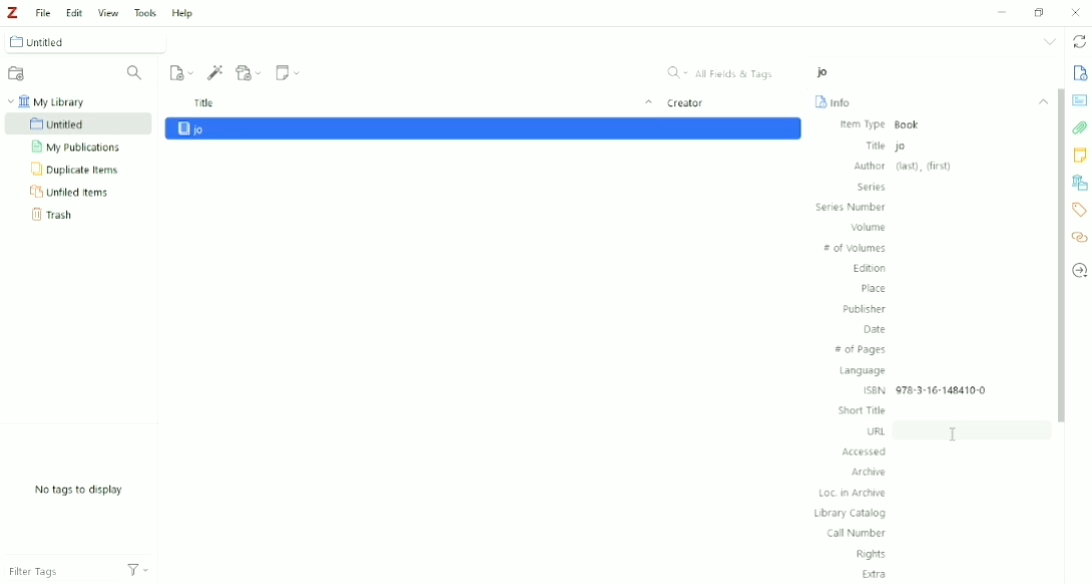  I want to click on # of Volumes, so click(856, 248).